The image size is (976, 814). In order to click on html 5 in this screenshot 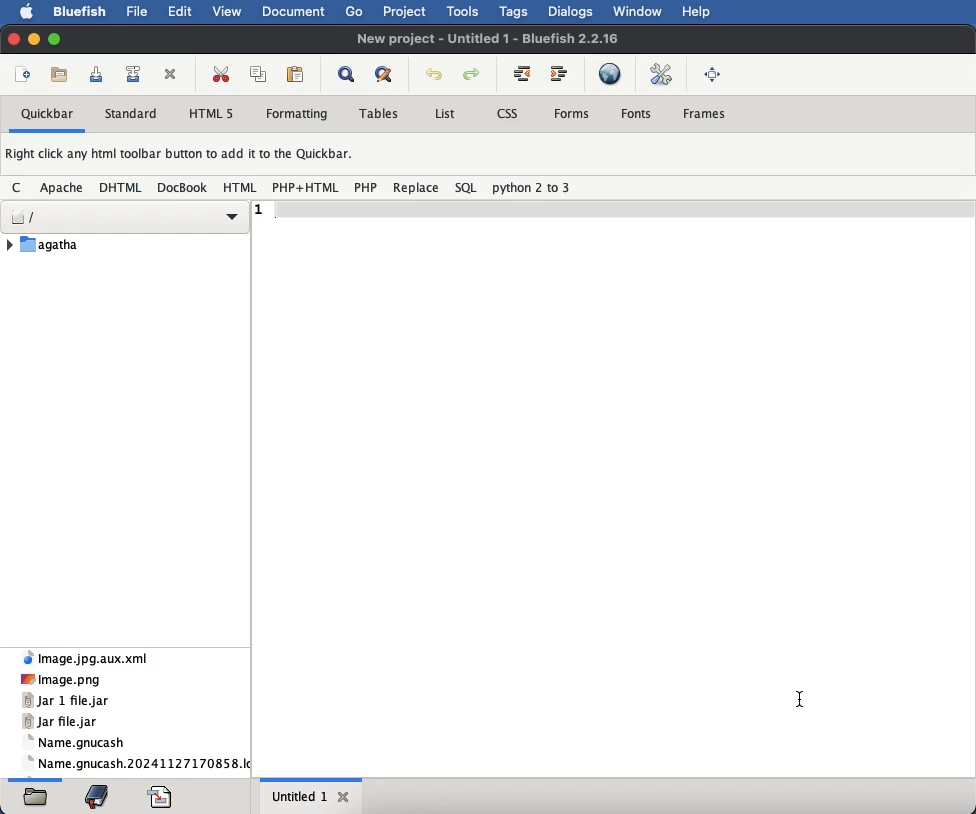, I will do `click(211, 113)`.